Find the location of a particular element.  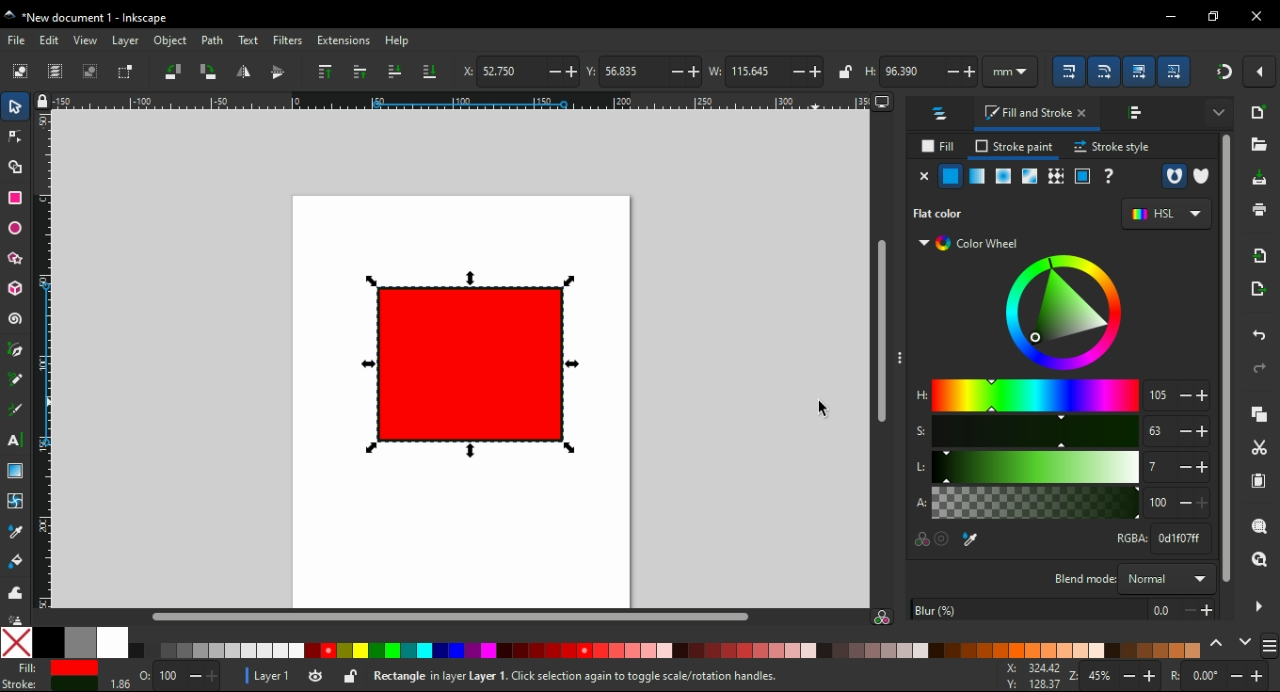

color picker tool is located at coordinates (15, 532).